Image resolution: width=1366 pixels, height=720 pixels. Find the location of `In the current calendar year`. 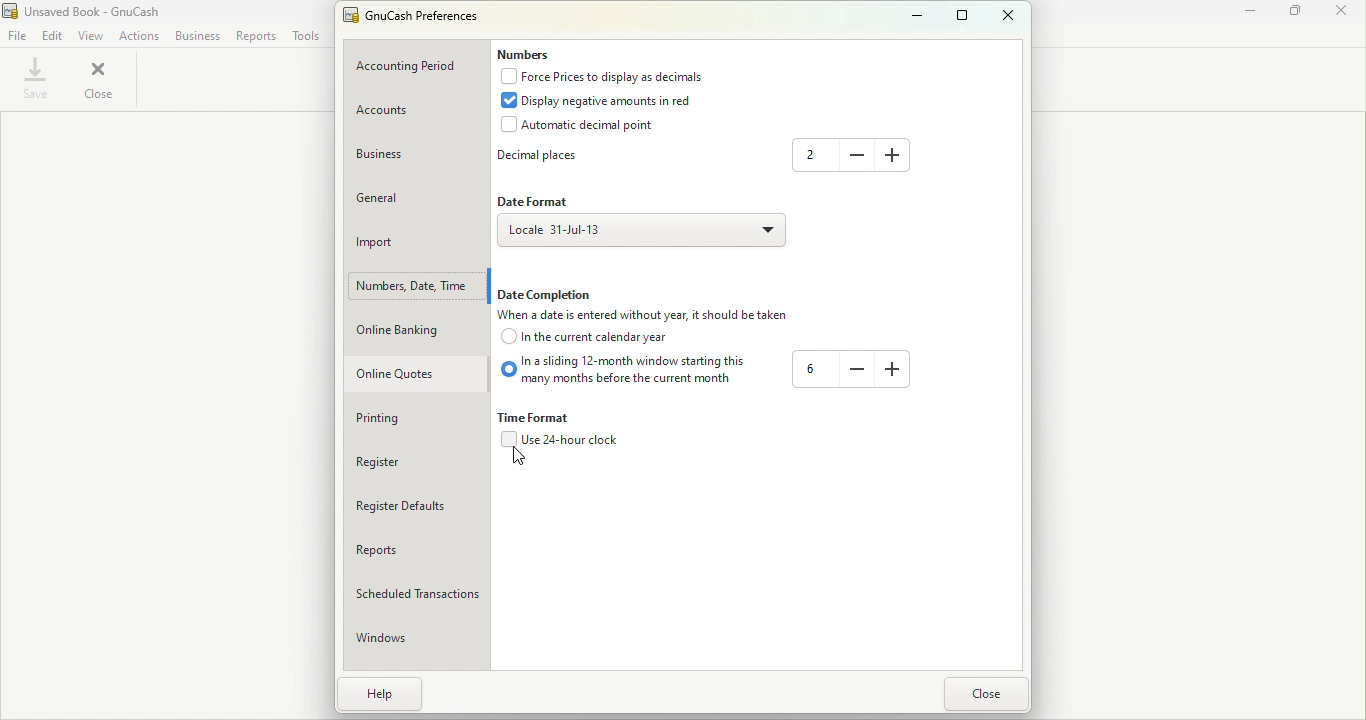

In the current calendar year is located at coordinates (591, 339).